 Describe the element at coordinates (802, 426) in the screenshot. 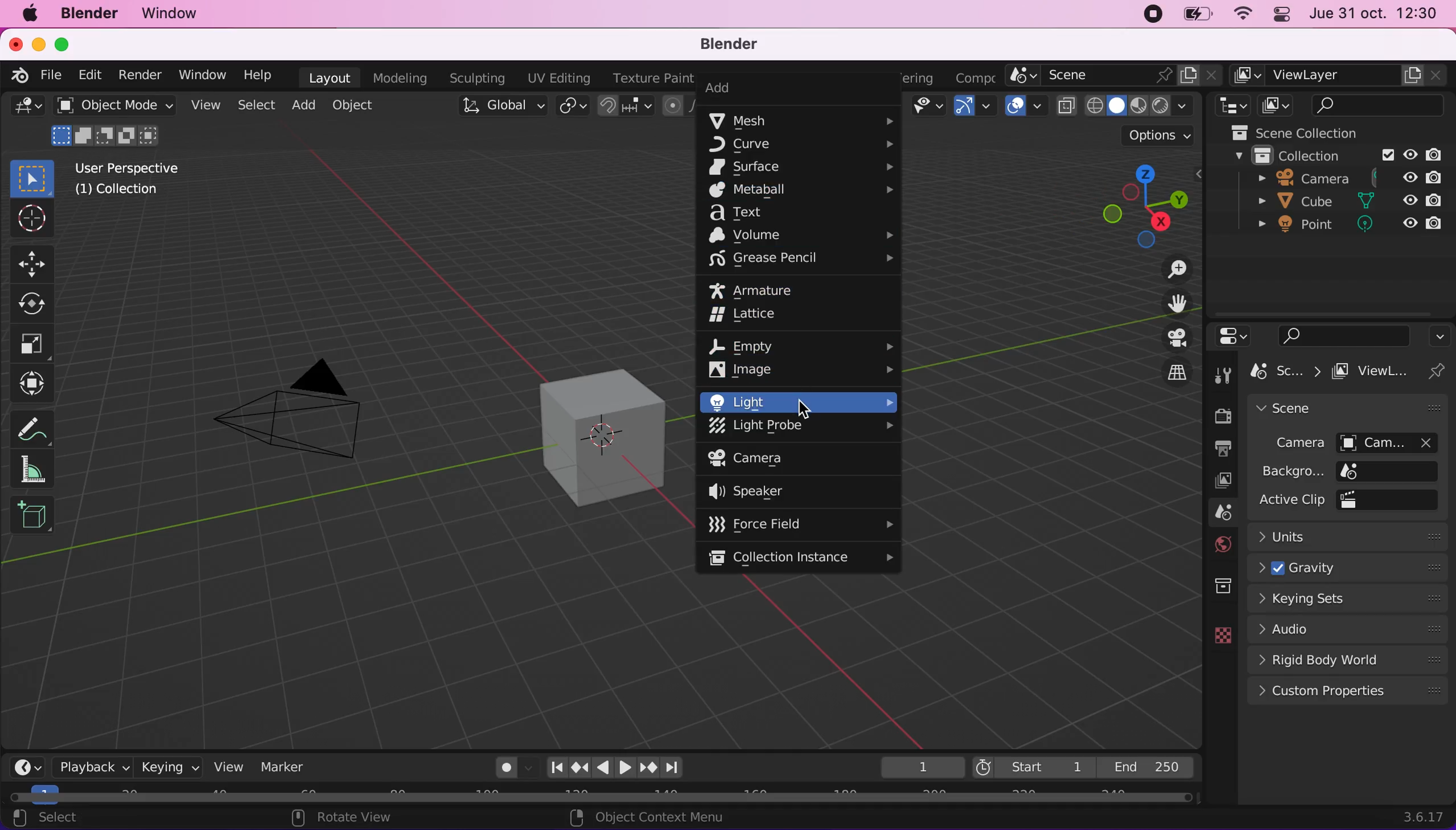

I see `light probe` at that location.